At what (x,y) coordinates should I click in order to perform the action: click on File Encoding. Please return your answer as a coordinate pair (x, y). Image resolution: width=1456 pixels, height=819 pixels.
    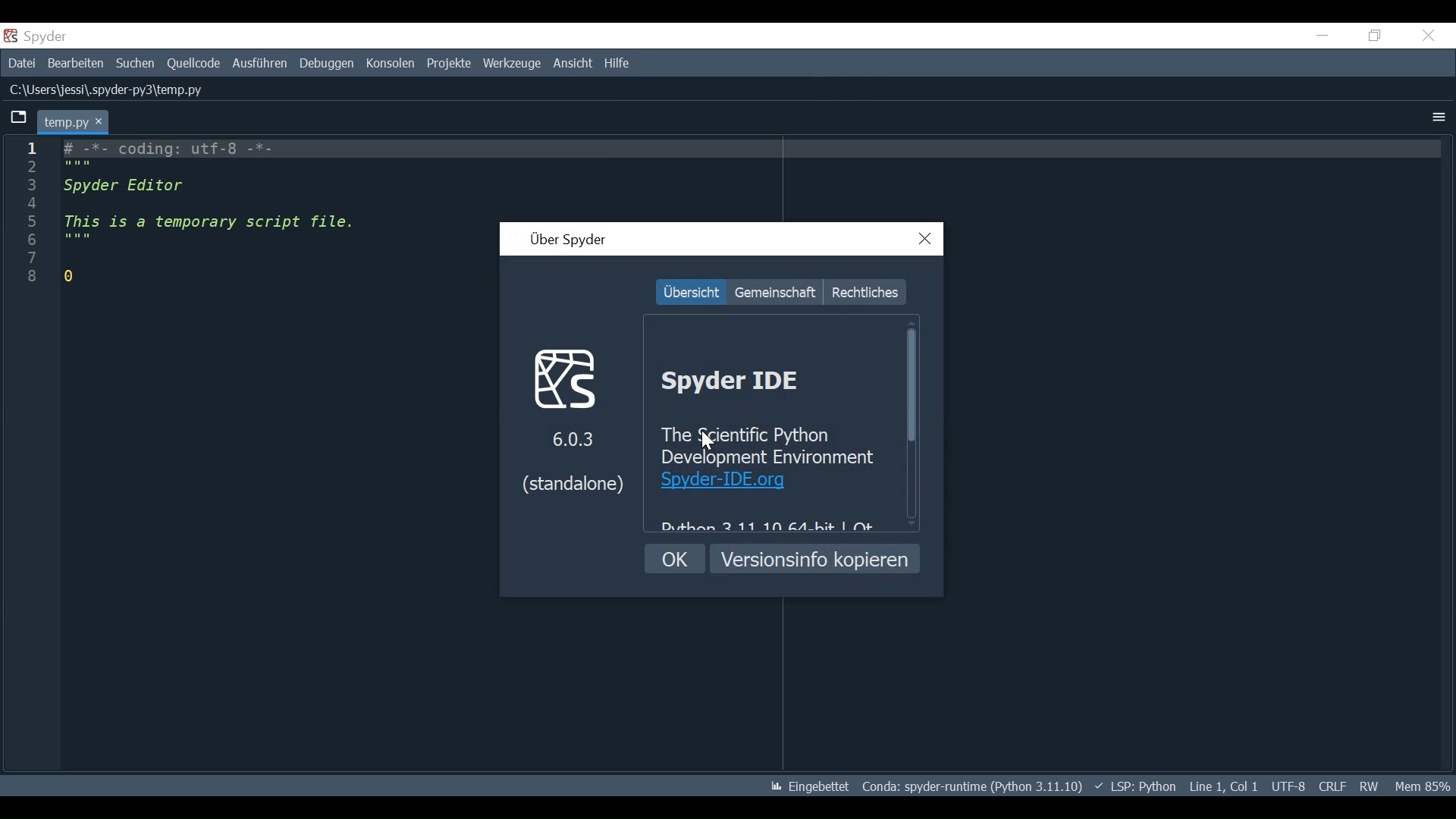
    Looking at the image, I should click on (1288, 786).